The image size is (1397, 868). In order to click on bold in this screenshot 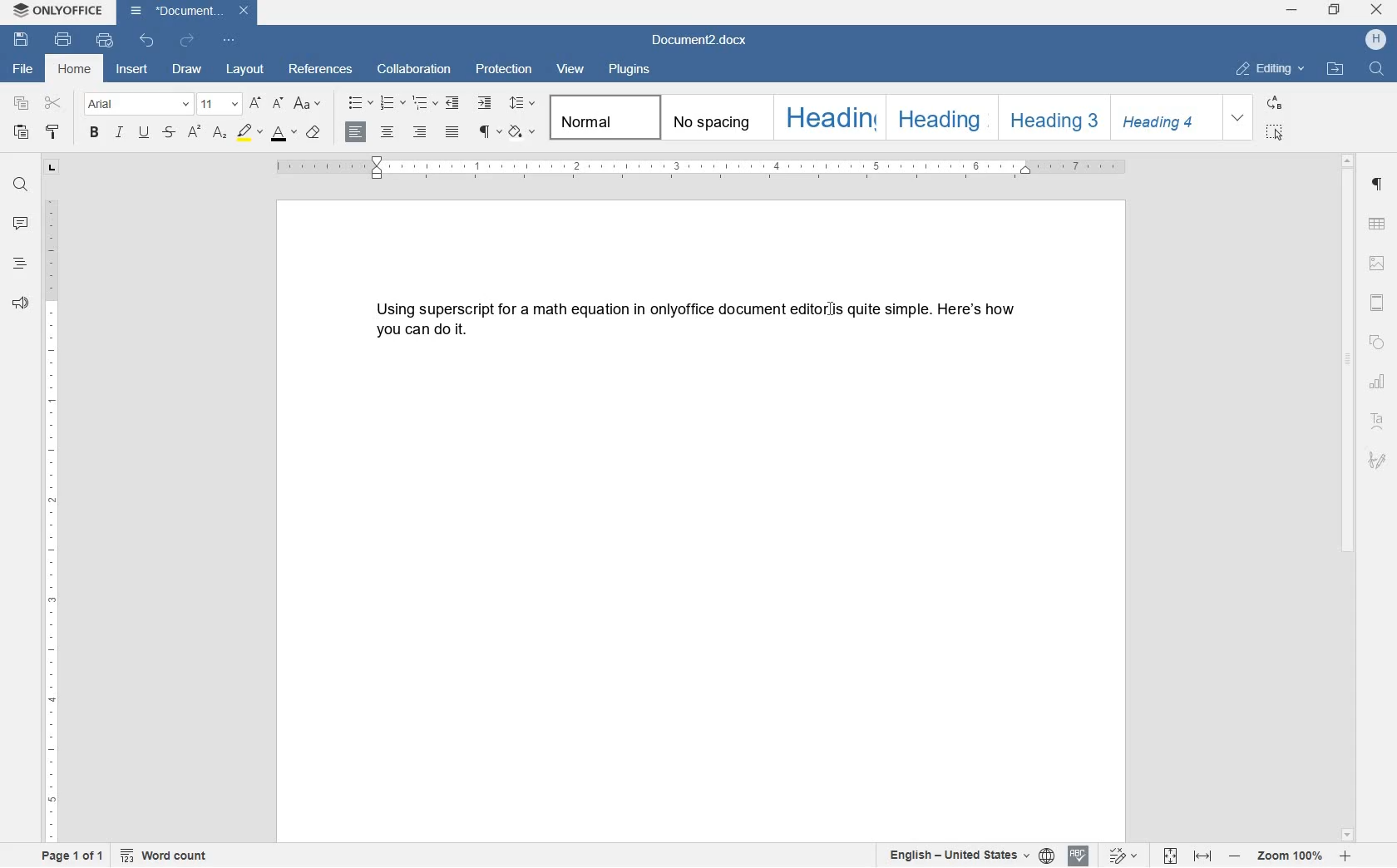, I will do `click(93, 133)`.